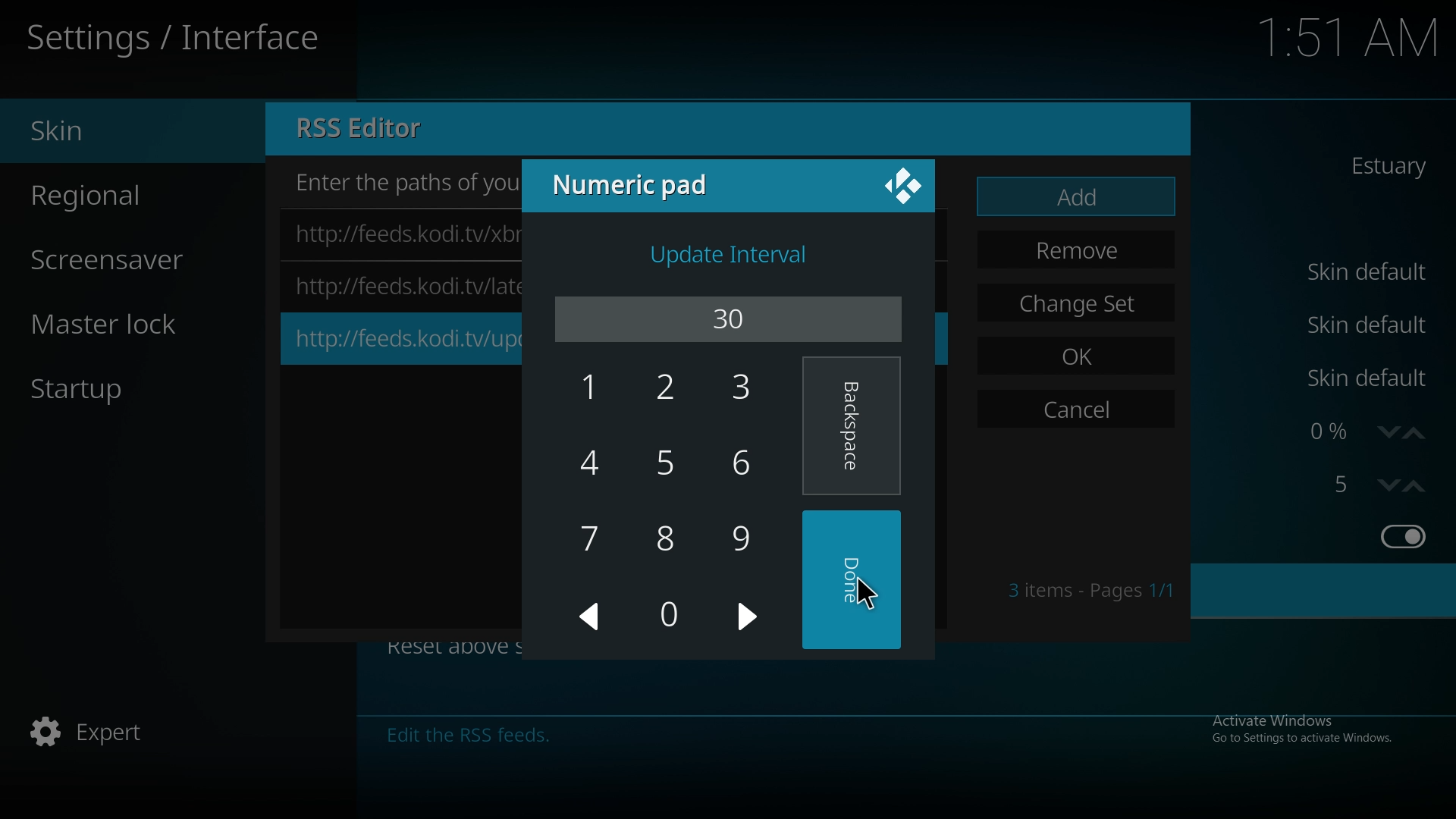 This screenshot has width=1456, height=819. What do you see at coordinates (397, 286) in the screenshot?
I see `https://feeds.kodi.twlat` at bounding box center [397, 286].